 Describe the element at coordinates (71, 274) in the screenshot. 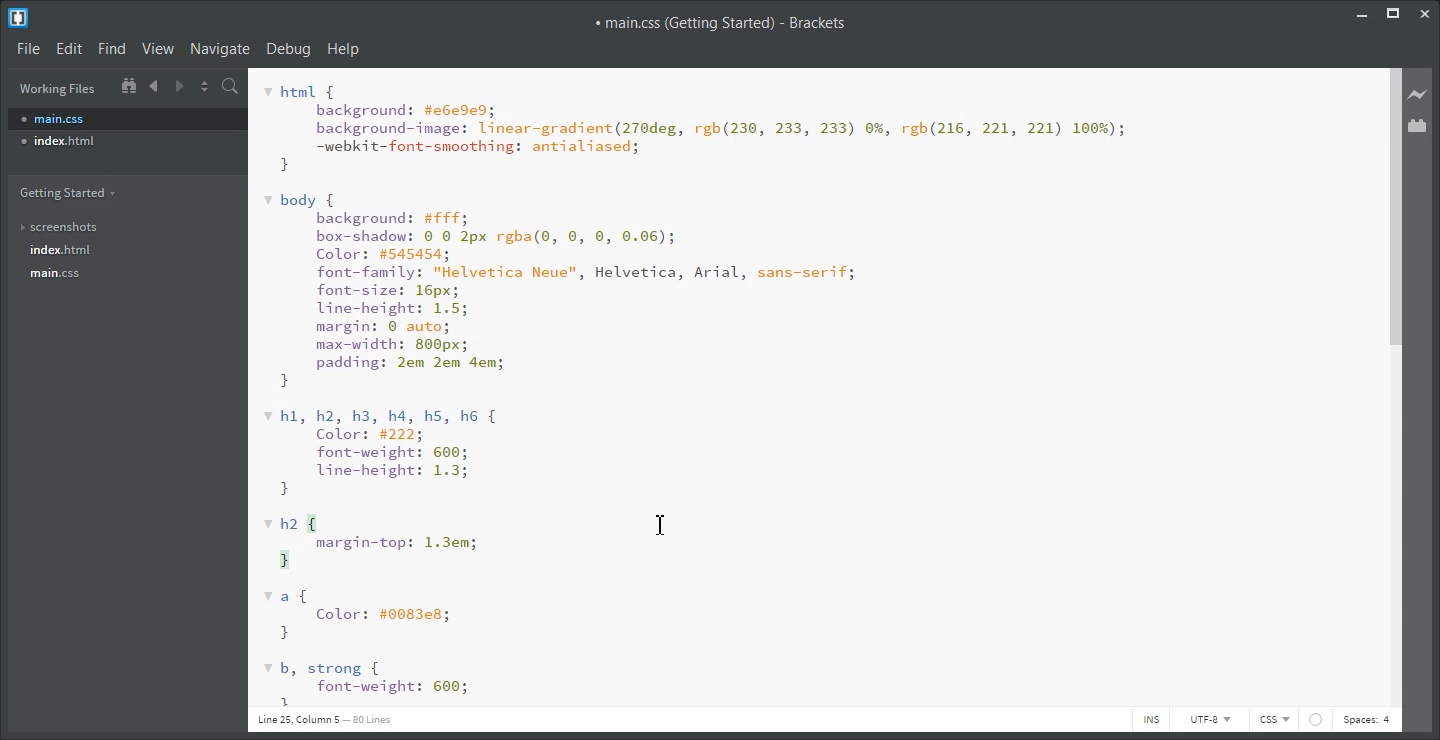

I see `main.css` at that location.